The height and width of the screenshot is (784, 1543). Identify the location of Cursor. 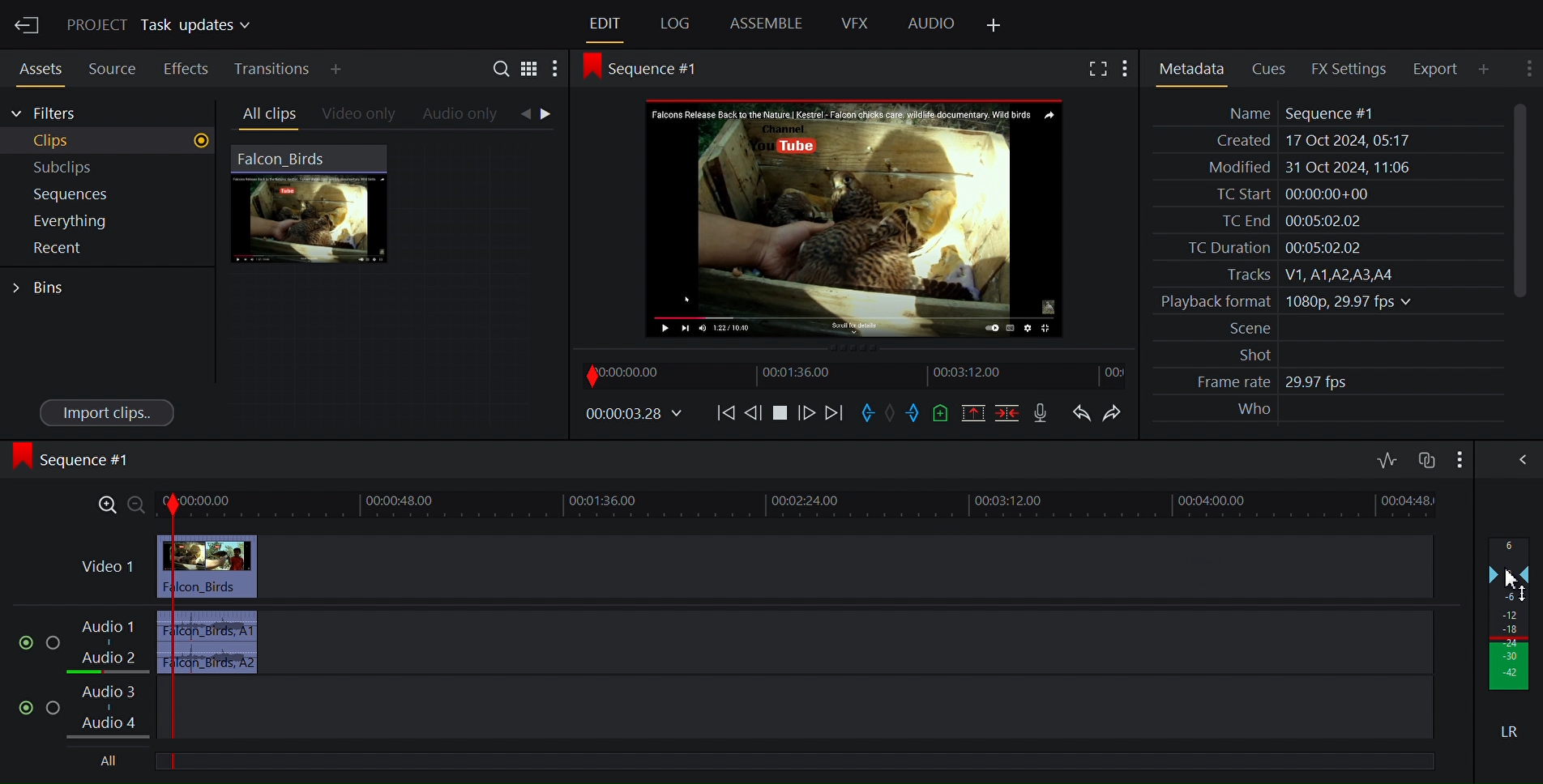
(1519, 584).